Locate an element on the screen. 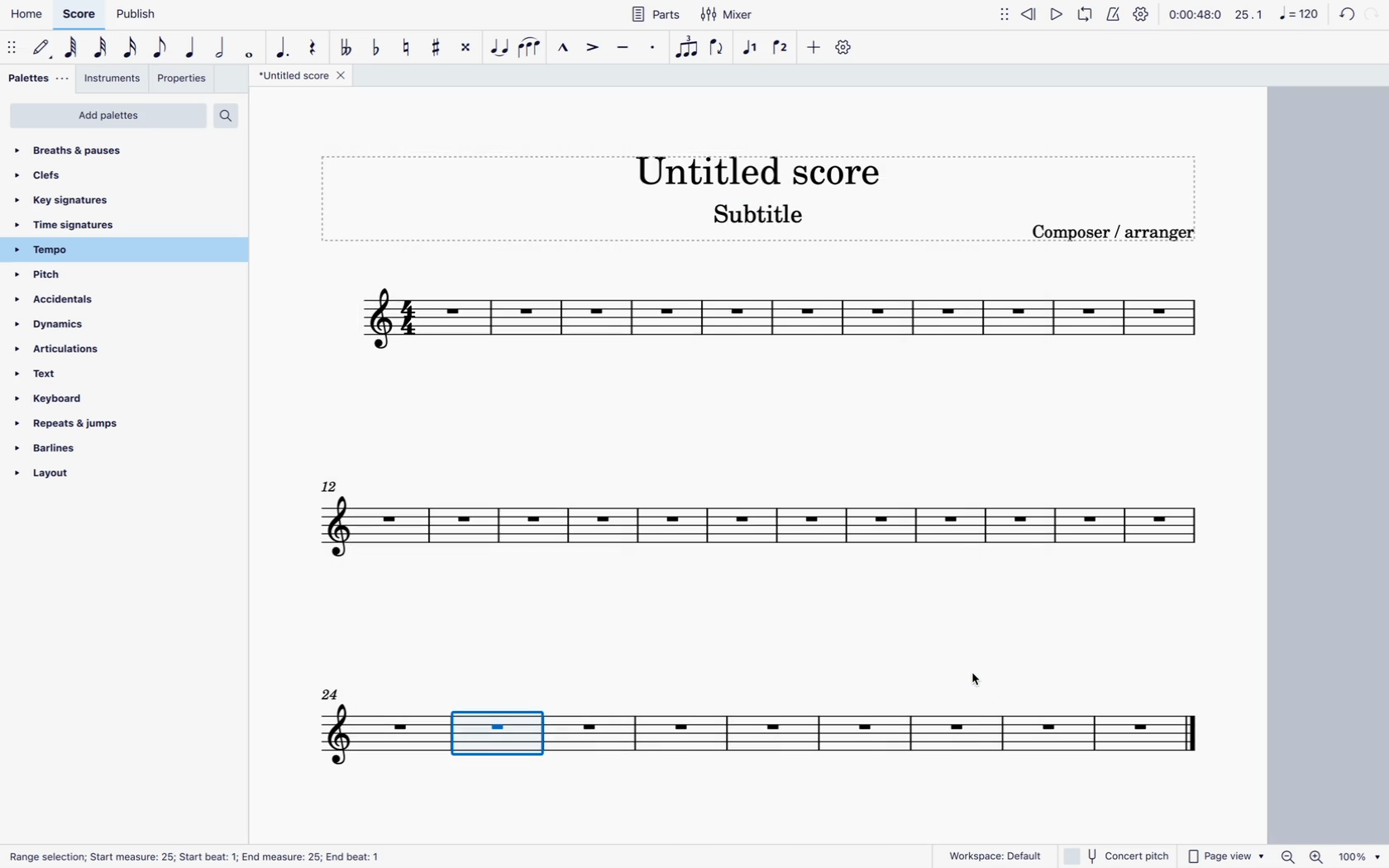 This screenshot has width=1389, height=868. layout is located at coordinates (76, 475).